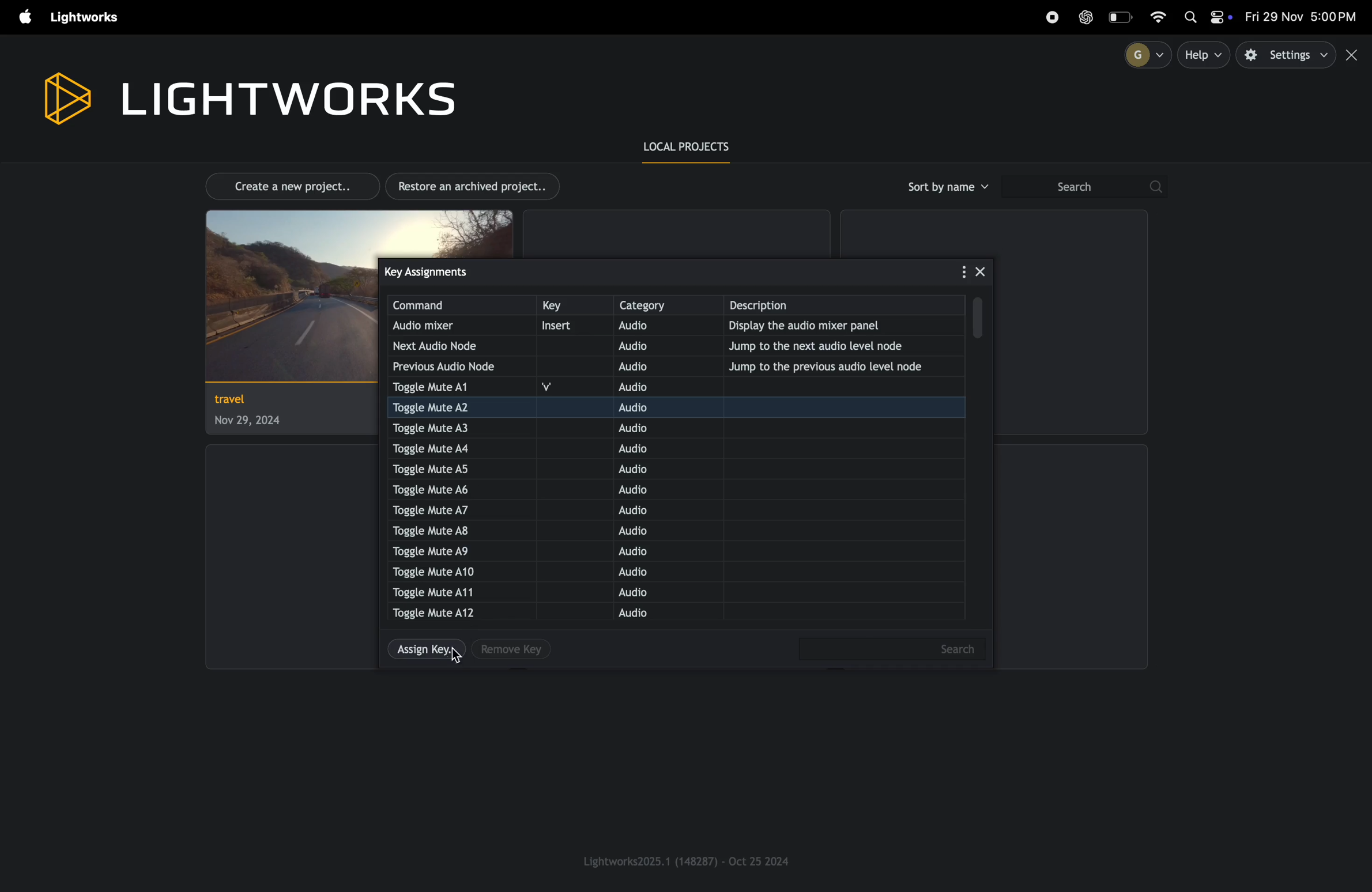 The height and width of the screenshot is (892, 1372). What do you see at coordinates (436, 550) in the screenshot?
I see `toggle mute A9` at bounding box center [436, 550].